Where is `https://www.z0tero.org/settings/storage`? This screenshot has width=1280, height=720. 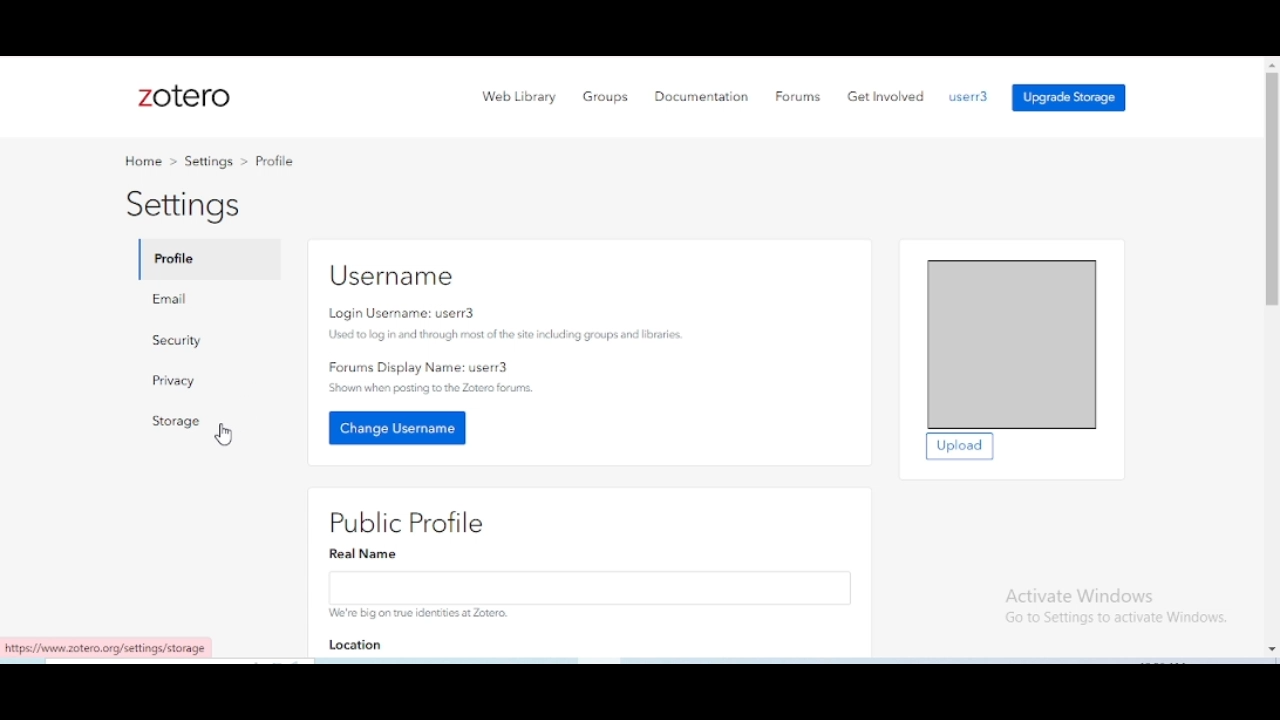 https://www.z0tero.org/settings/storage is located at coordinates (107, 650).